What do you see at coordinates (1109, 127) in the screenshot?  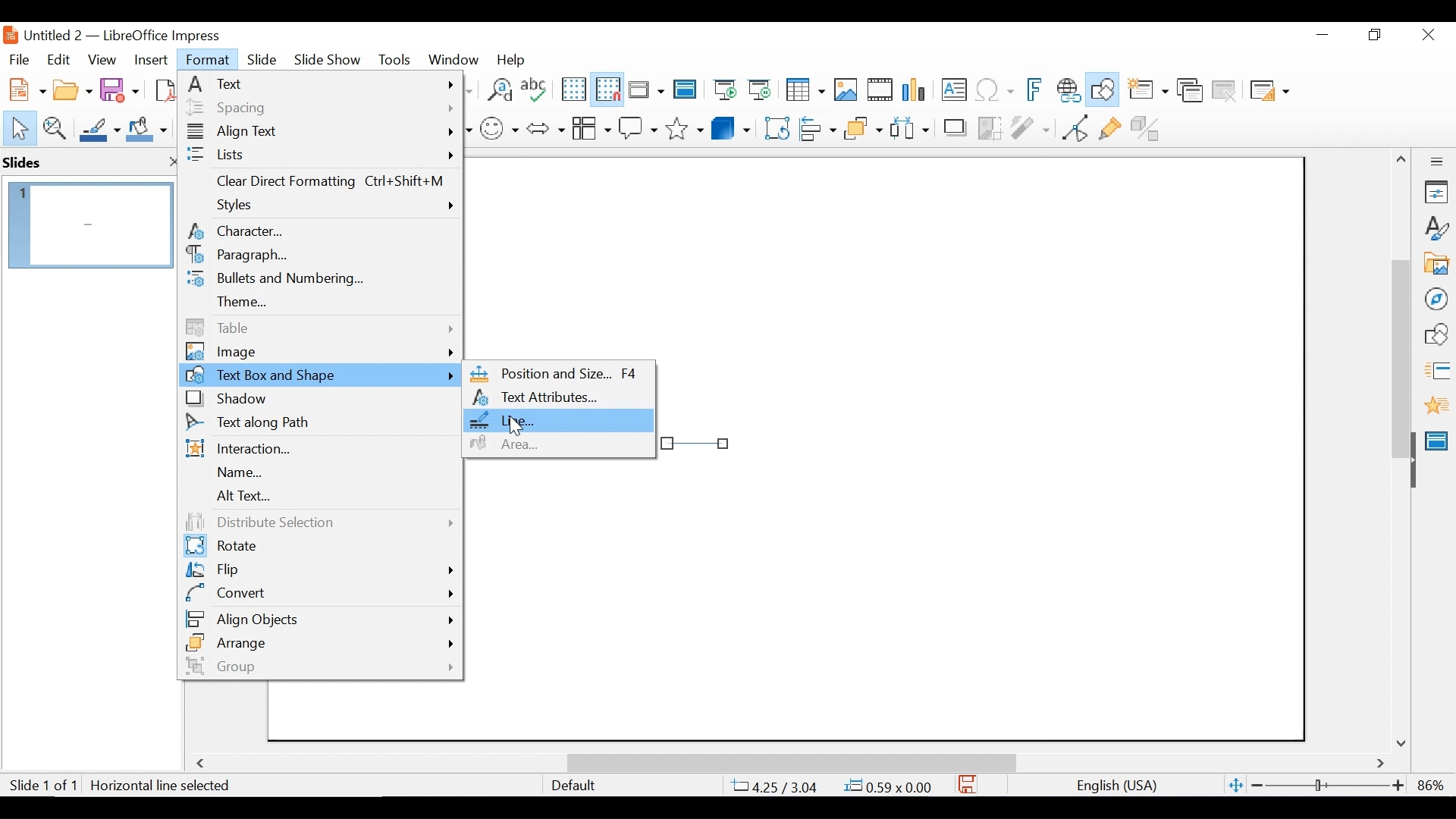 I see `Show Gluepoint Functions` at bounding box center [1109, 127].